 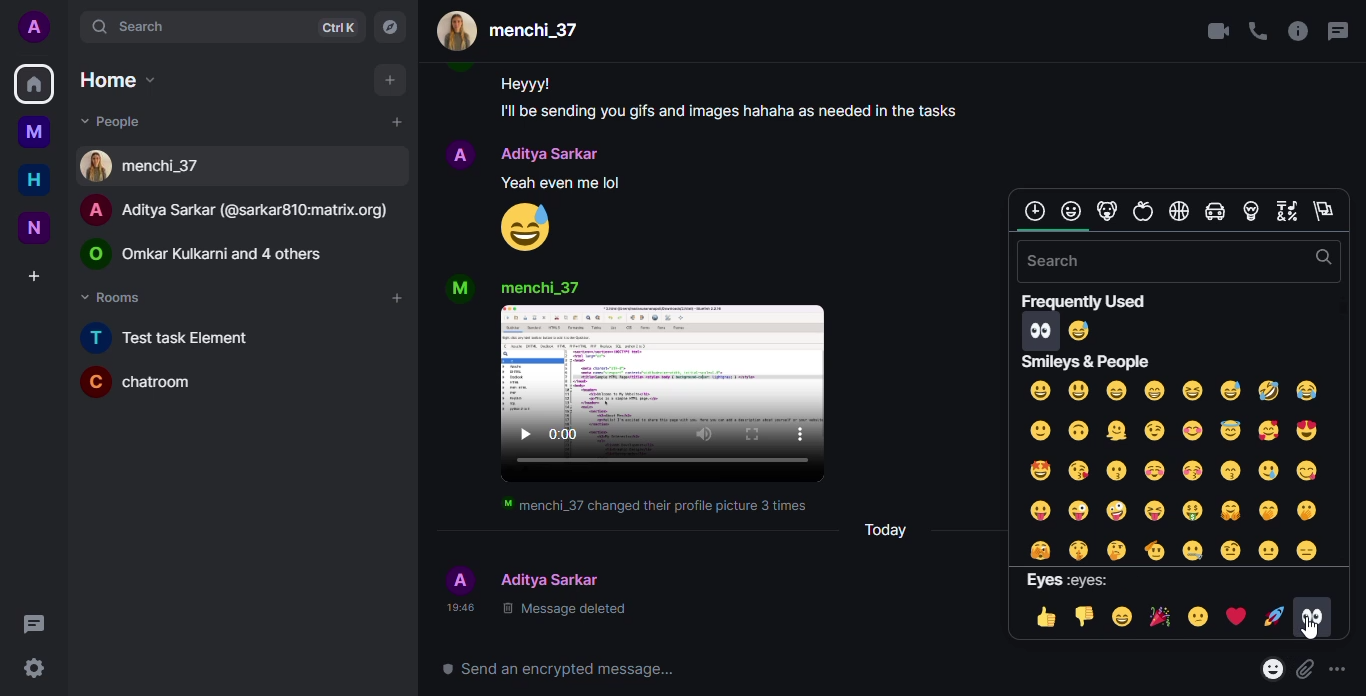 What do you see at coordinates (1121, 617) in the screenshot?
I see `laugh` at bounding box center [1121, 617].